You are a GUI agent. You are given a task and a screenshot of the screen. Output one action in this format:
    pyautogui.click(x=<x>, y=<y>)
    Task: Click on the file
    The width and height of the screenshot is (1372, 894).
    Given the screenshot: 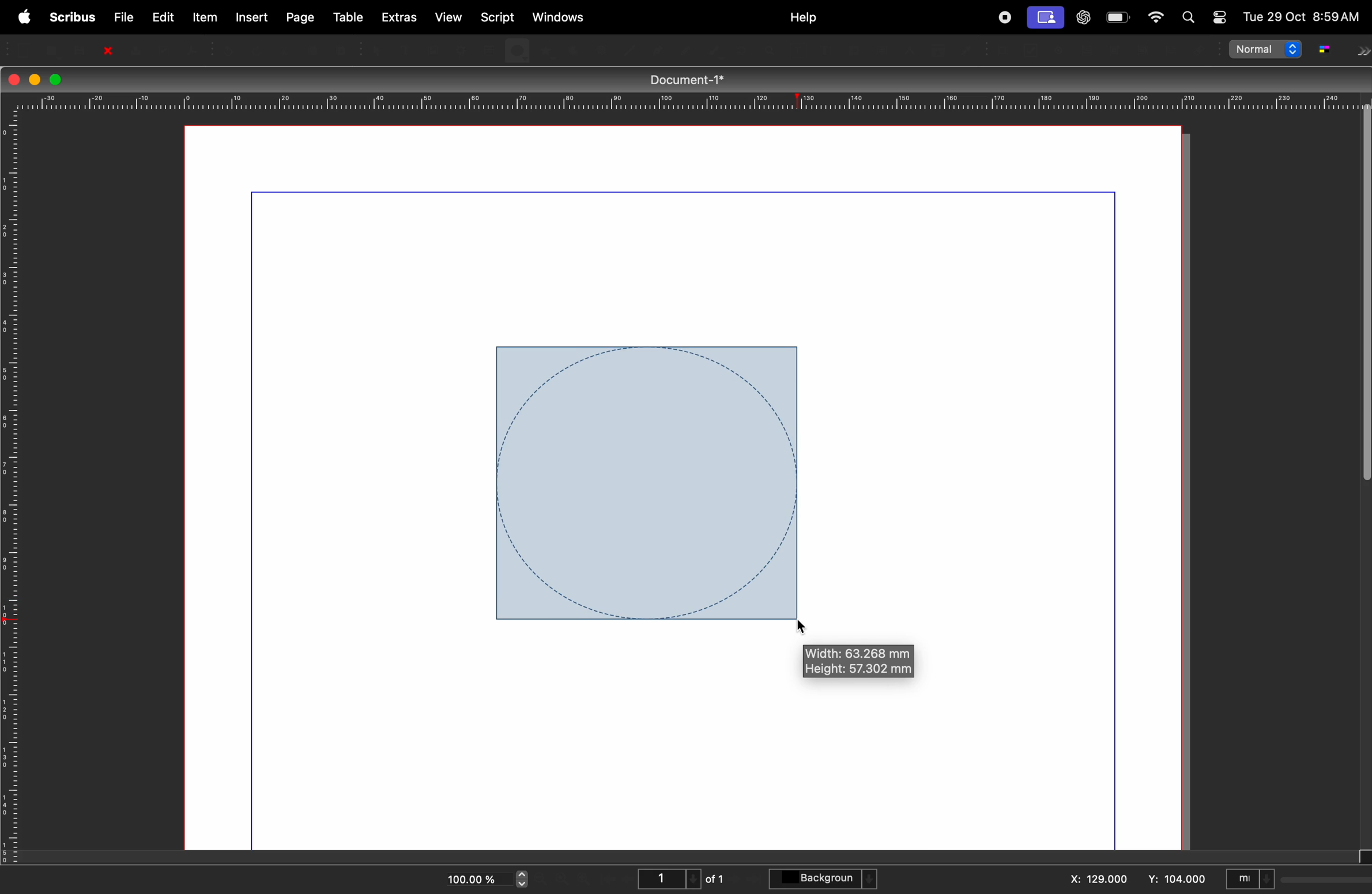 What is the action you would take?
    pyautogui.click(x=121, y=16)
    